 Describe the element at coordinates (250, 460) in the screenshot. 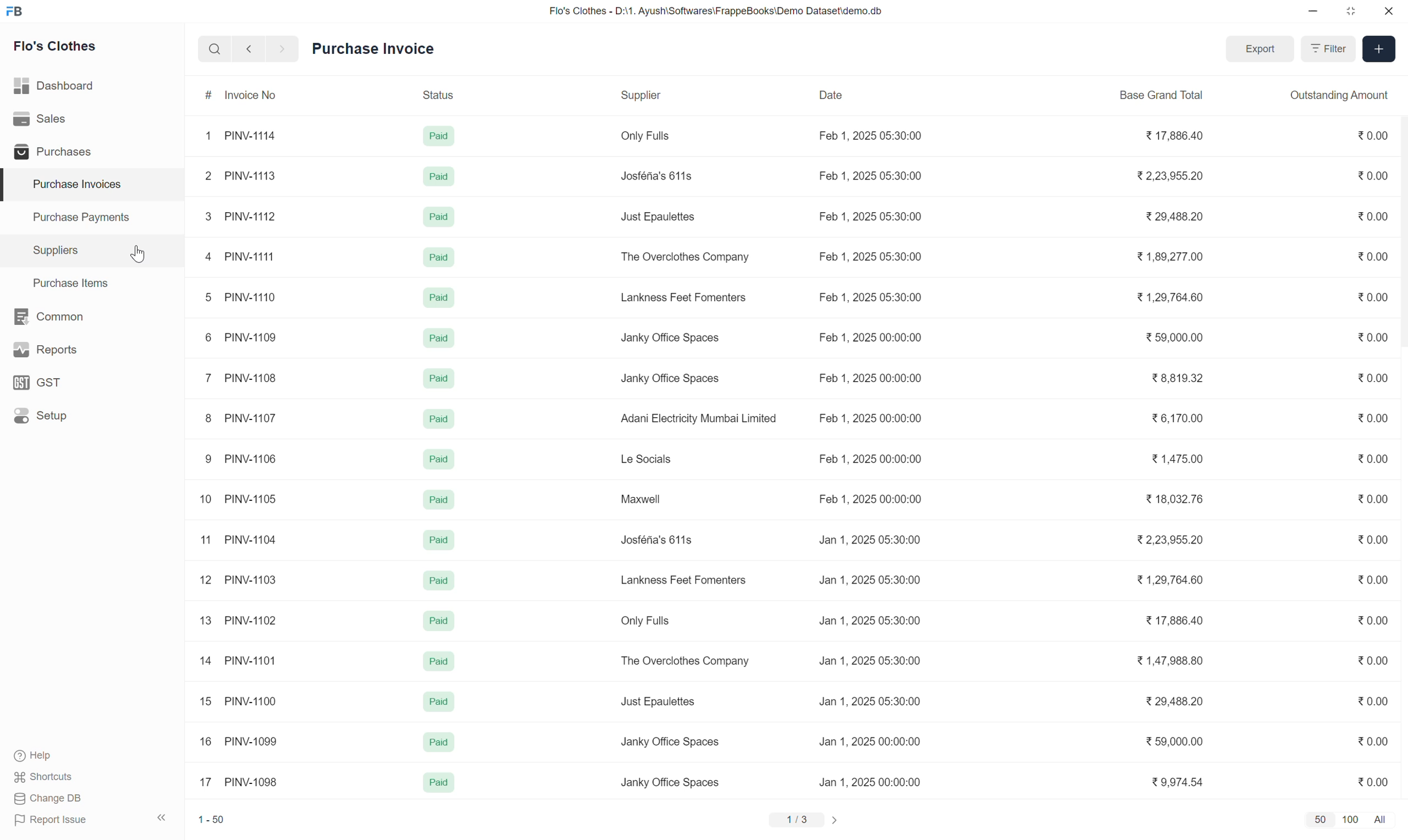

I see `PINV-1106` at that location.